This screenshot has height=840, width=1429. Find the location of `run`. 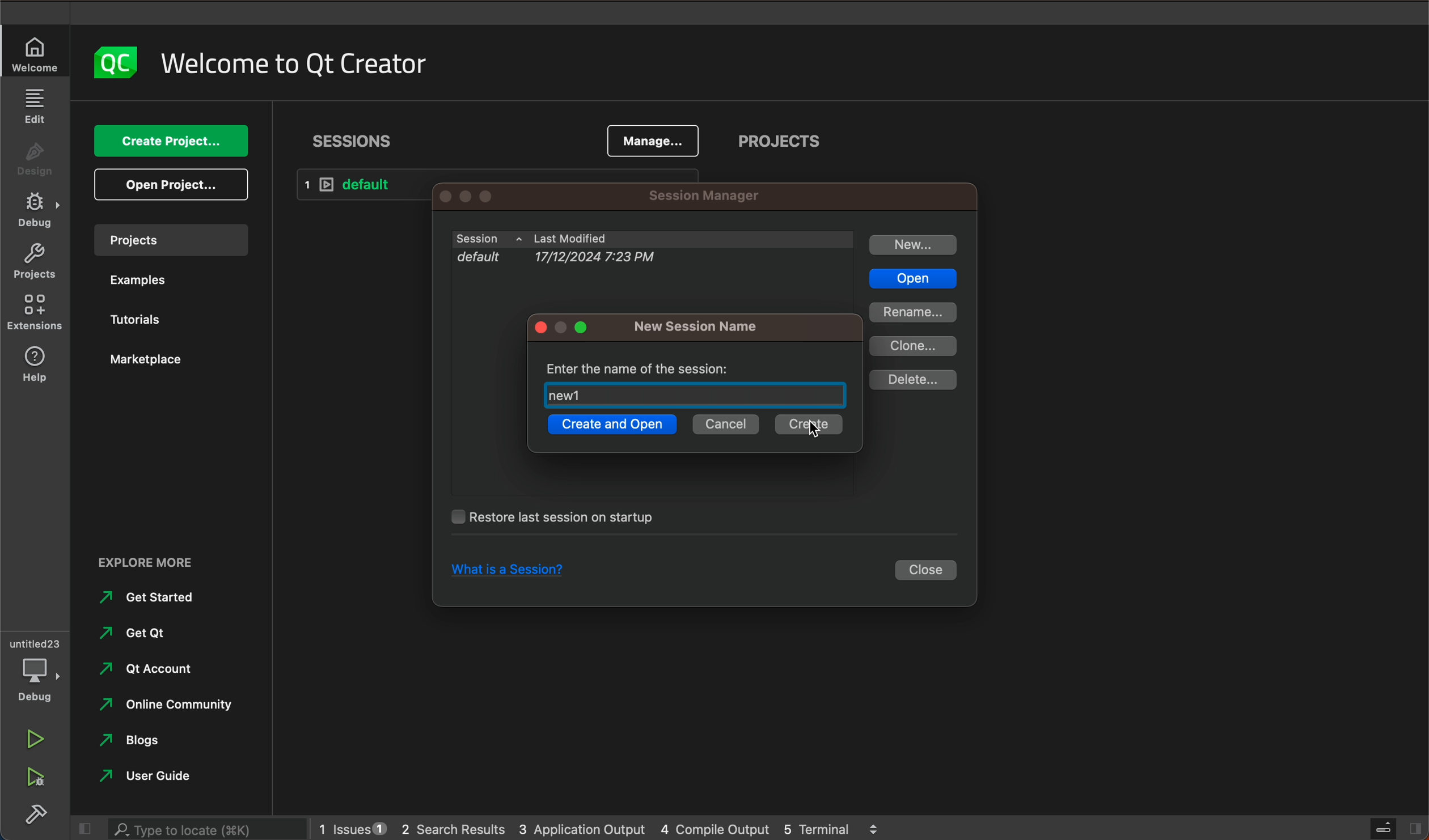

run is located at coordinates (33, 736).